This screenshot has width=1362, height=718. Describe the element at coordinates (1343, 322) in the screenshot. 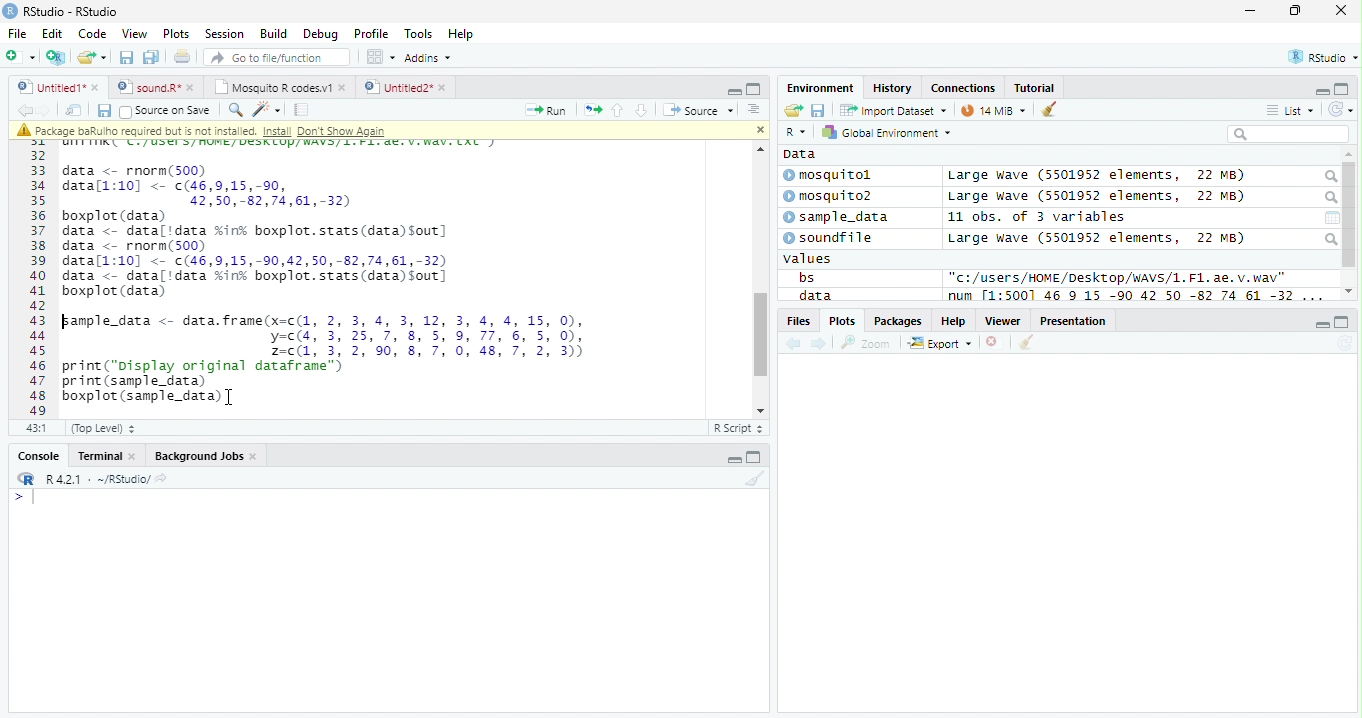

I see `full screen` at that location.